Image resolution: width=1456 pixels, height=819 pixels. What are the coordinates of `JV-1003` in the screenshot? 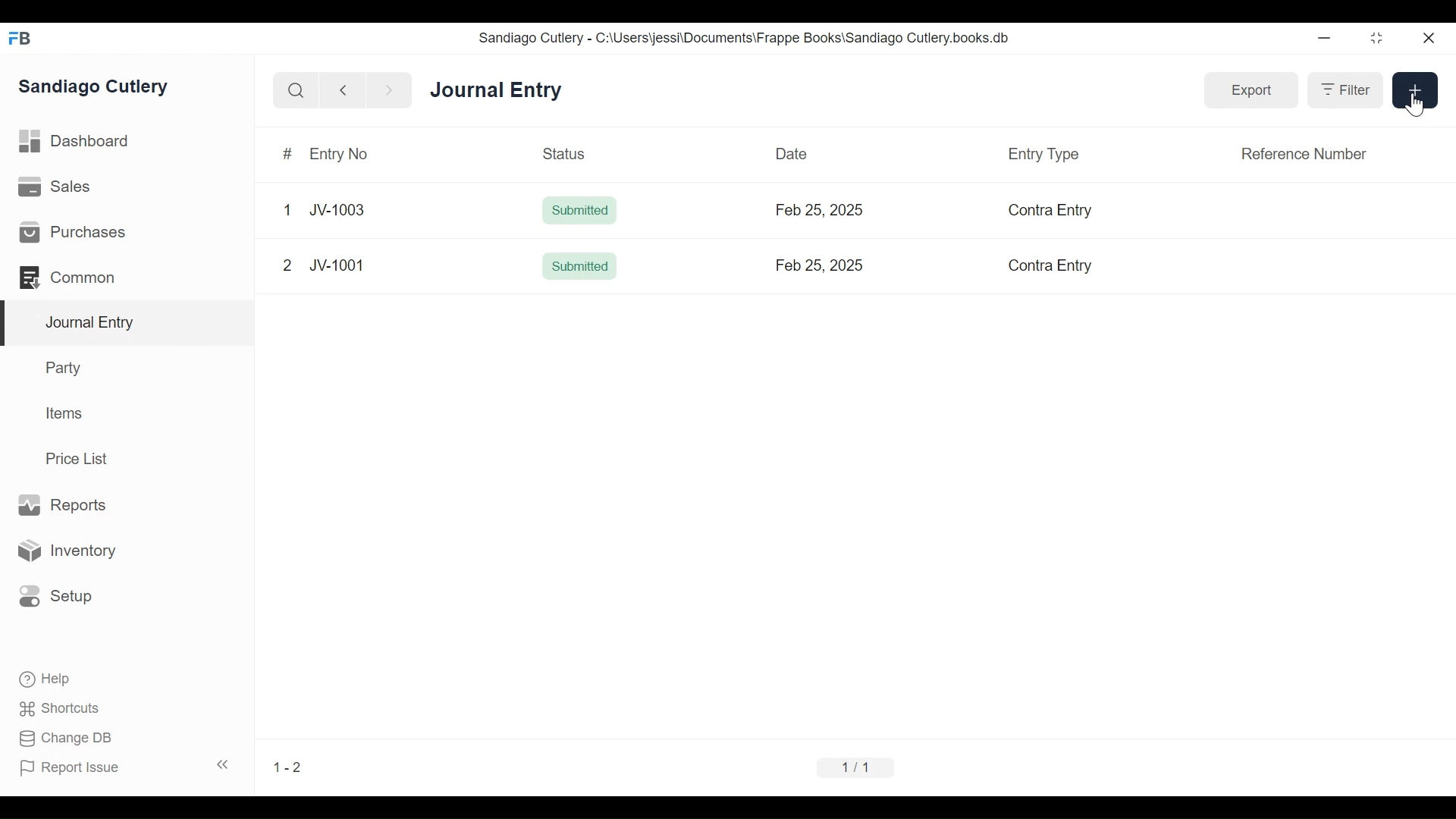 It's located at (339, 204).